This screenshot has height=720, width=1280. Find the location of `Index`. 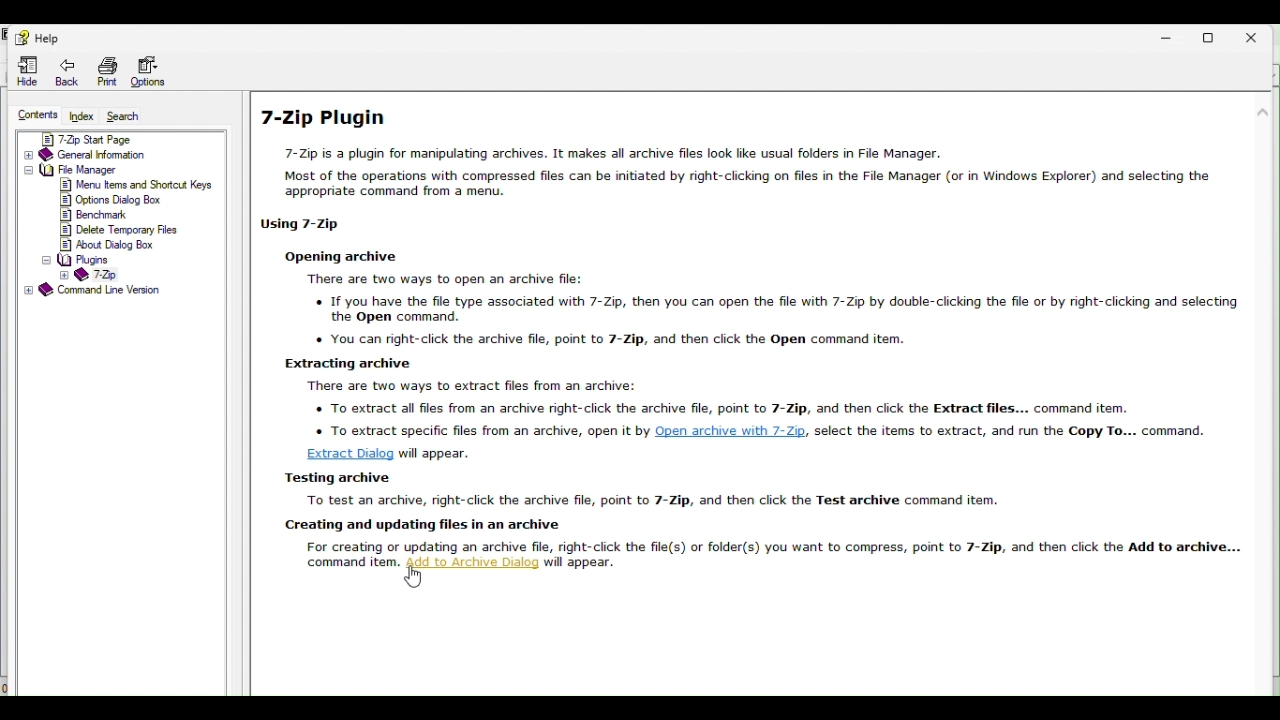

Index is located at coordinates (83, 115).